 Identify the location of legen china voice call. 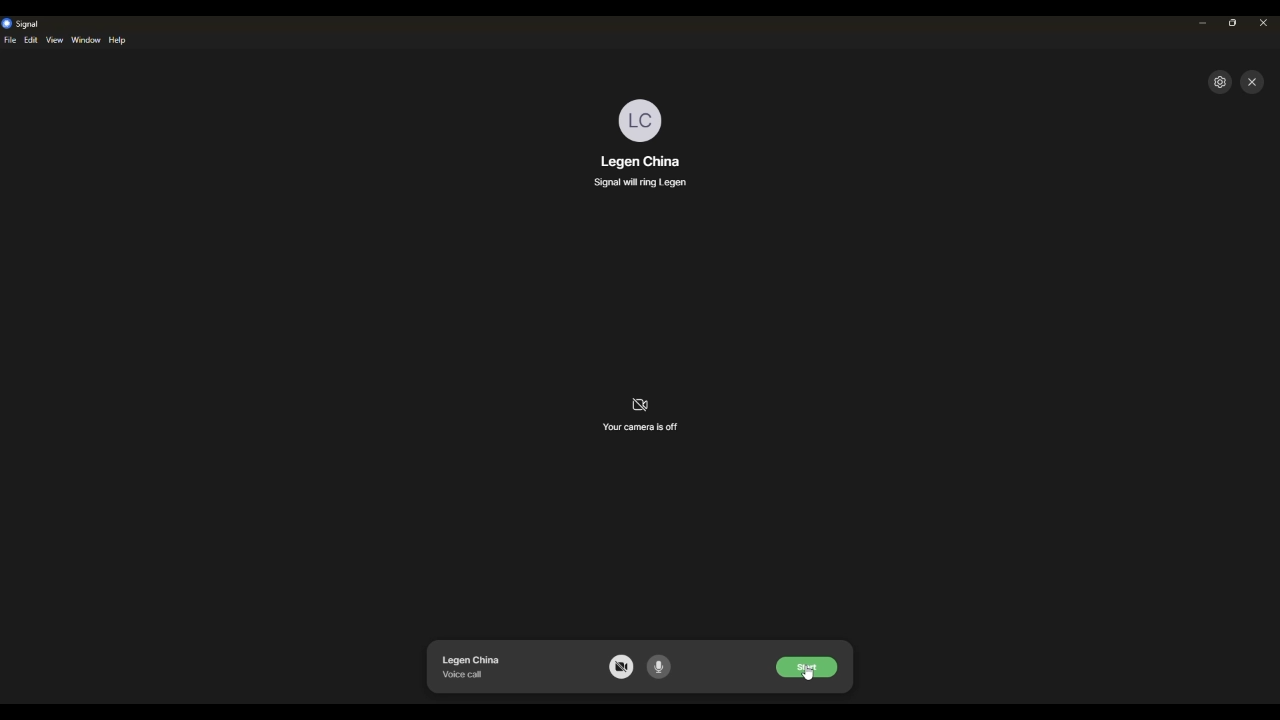
(472, 665).